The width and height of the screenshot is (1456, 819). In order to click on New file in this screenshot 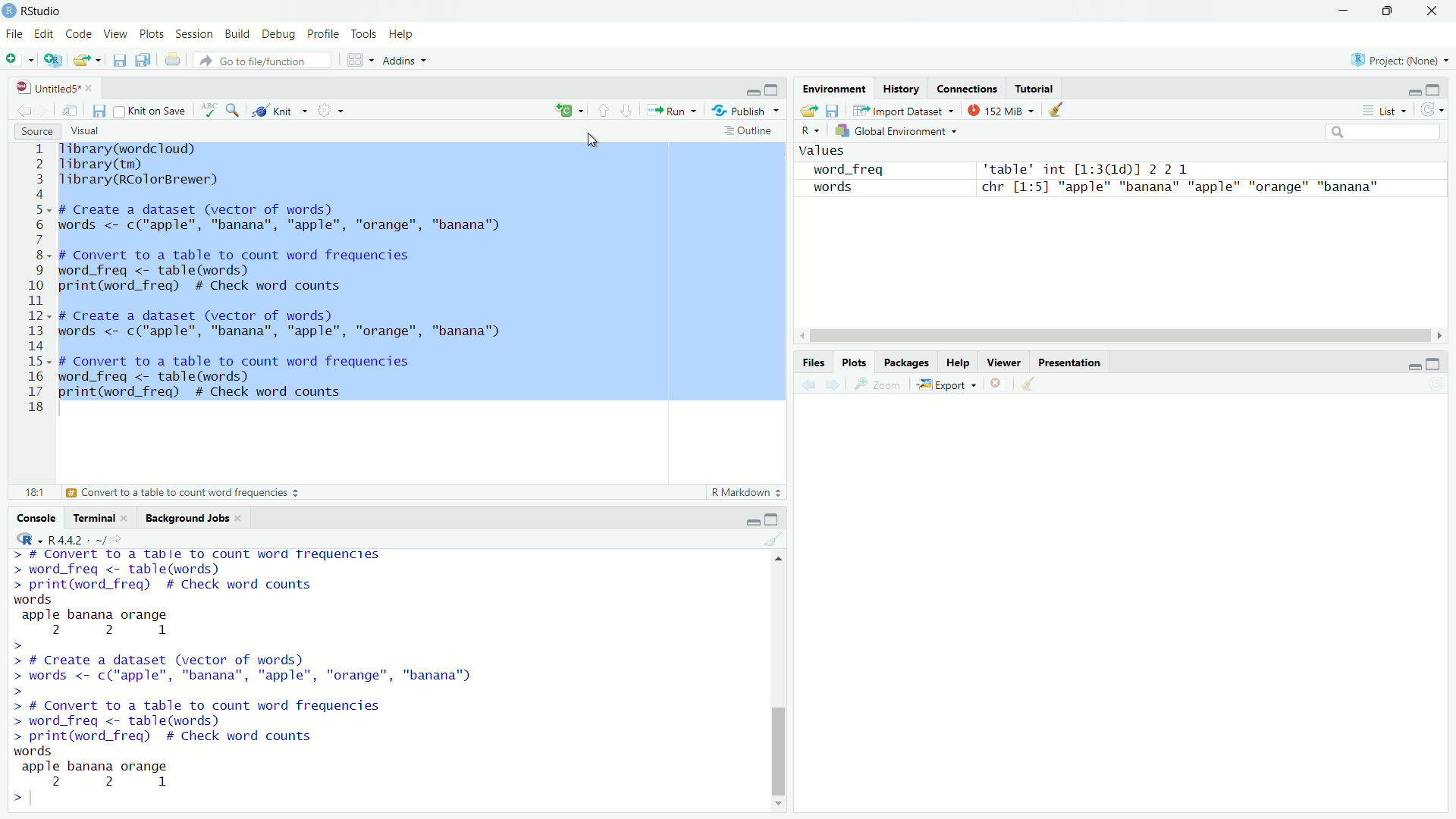, I will do `click(20, 58)`.